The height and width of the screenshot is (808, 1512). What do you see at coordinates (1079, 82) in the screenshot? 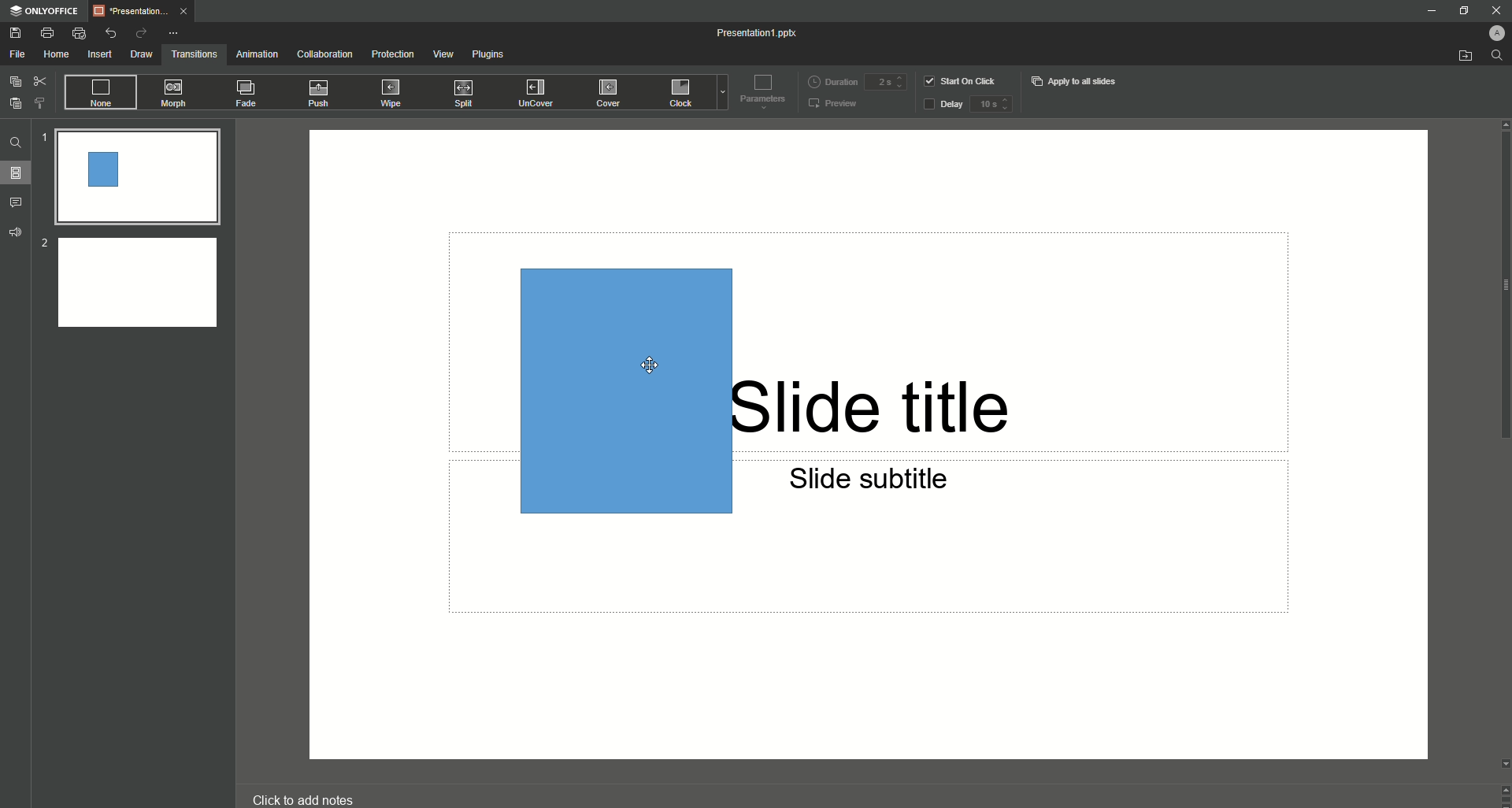
I see `Apply to all slides` at bounding box center [1079, 82].